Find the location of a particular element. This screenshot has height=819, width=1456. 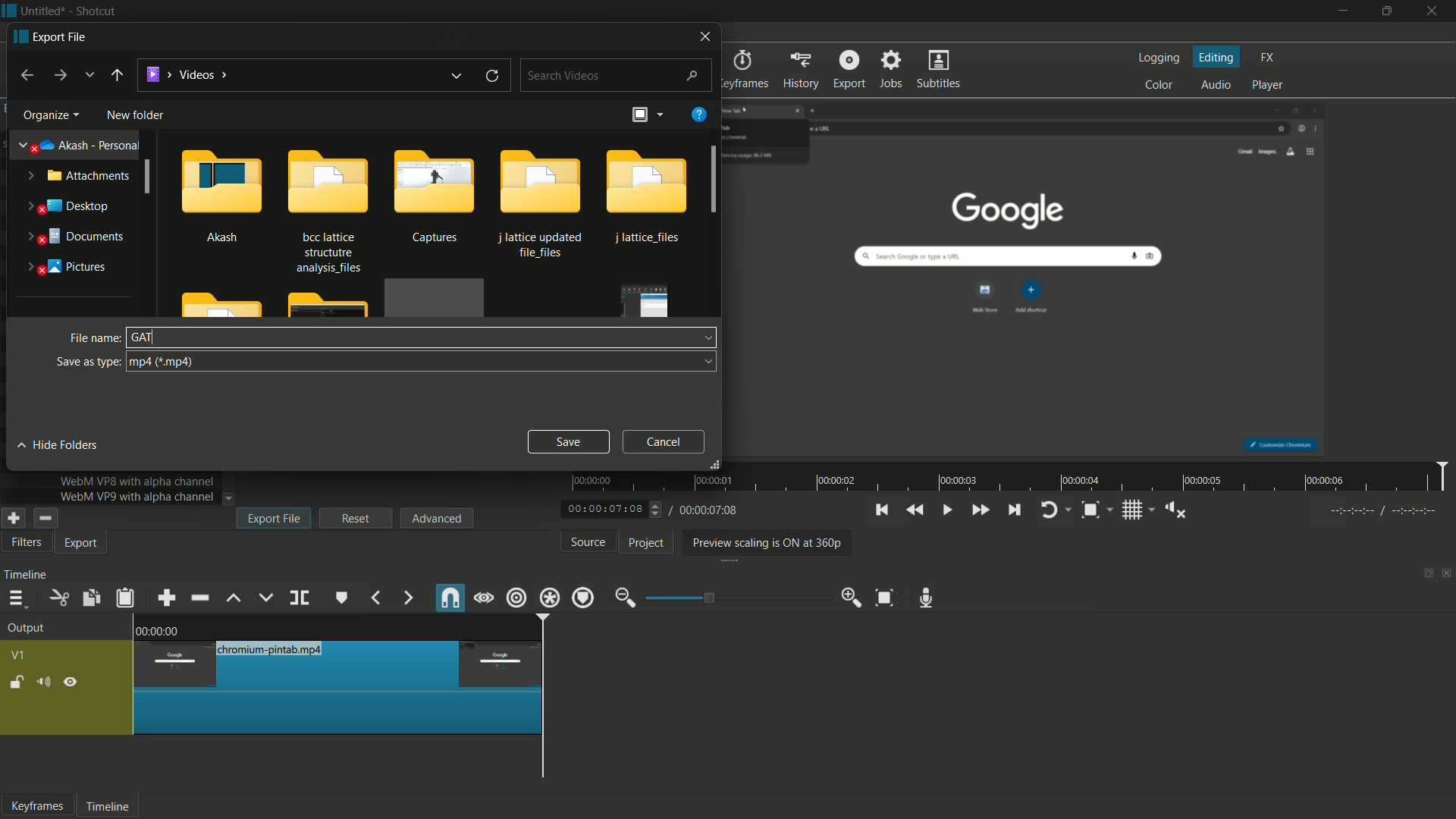

folder-2 is located at coordinates (326, 209).